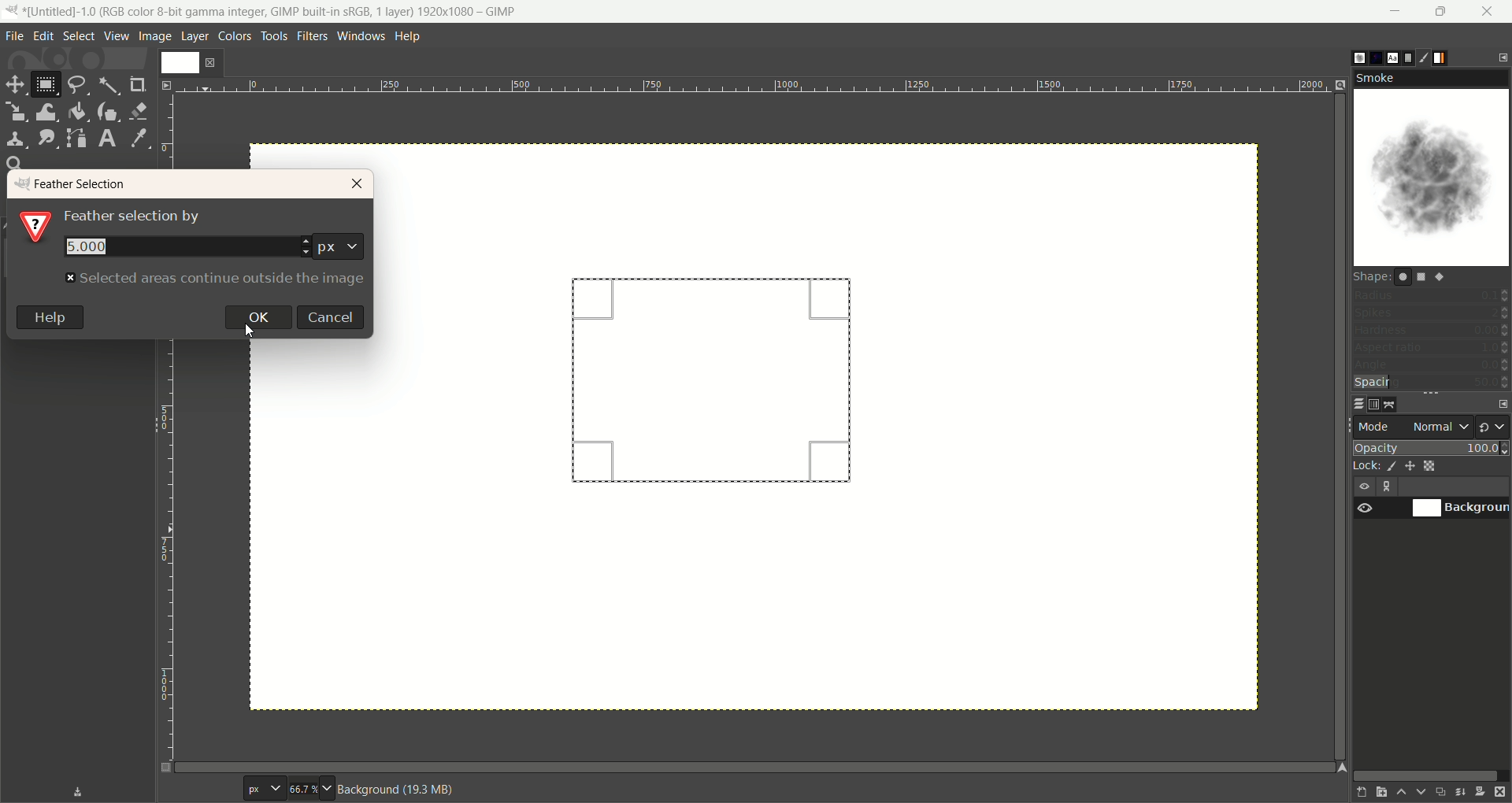  I want to click on close, so click(1489, 12).